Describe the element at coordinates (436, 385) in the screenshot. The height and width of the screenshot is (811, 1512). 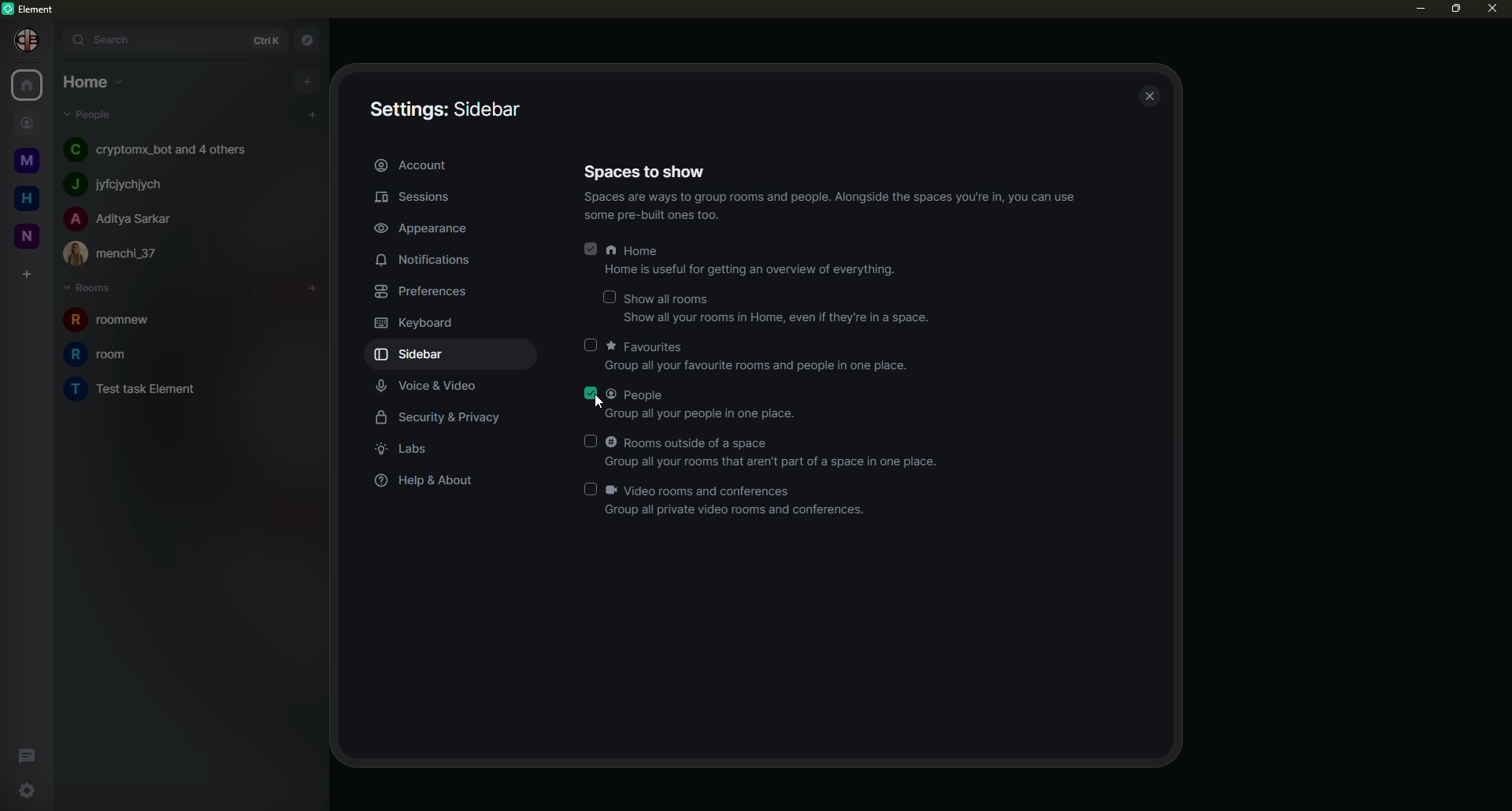
I see `voice & video` at that location.